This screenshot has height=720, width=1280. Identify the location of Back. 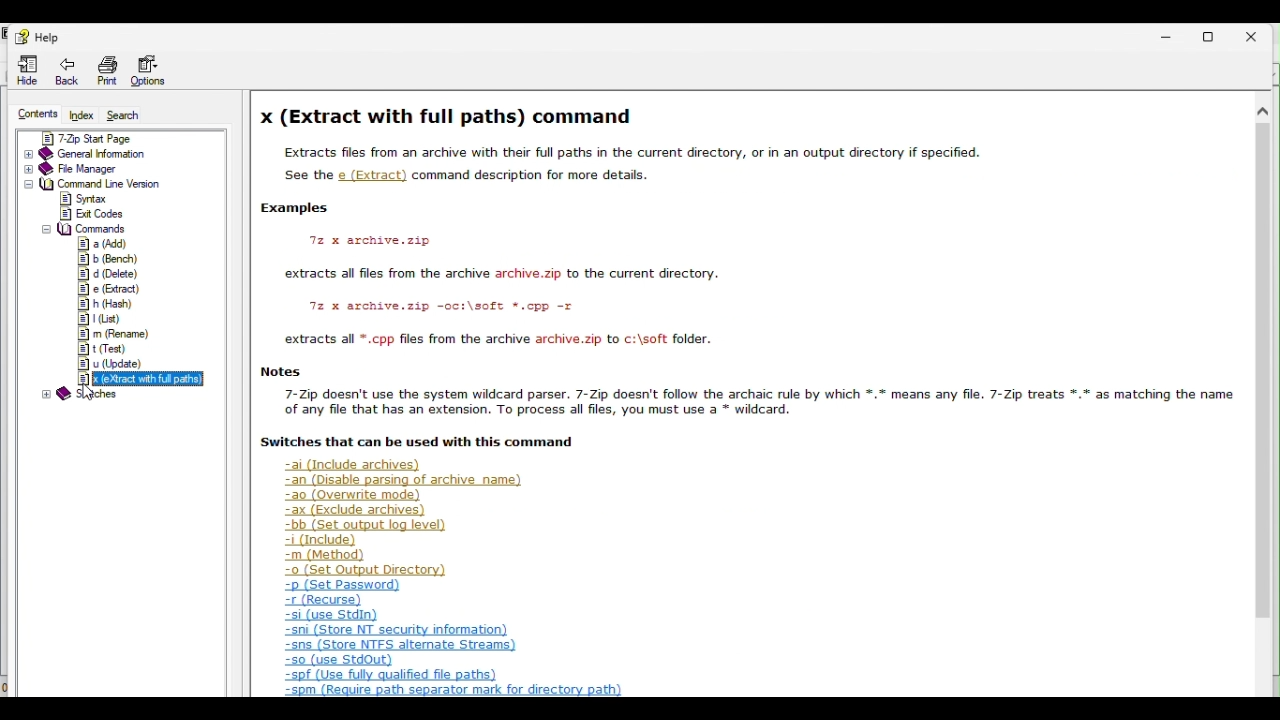
(68, 74).